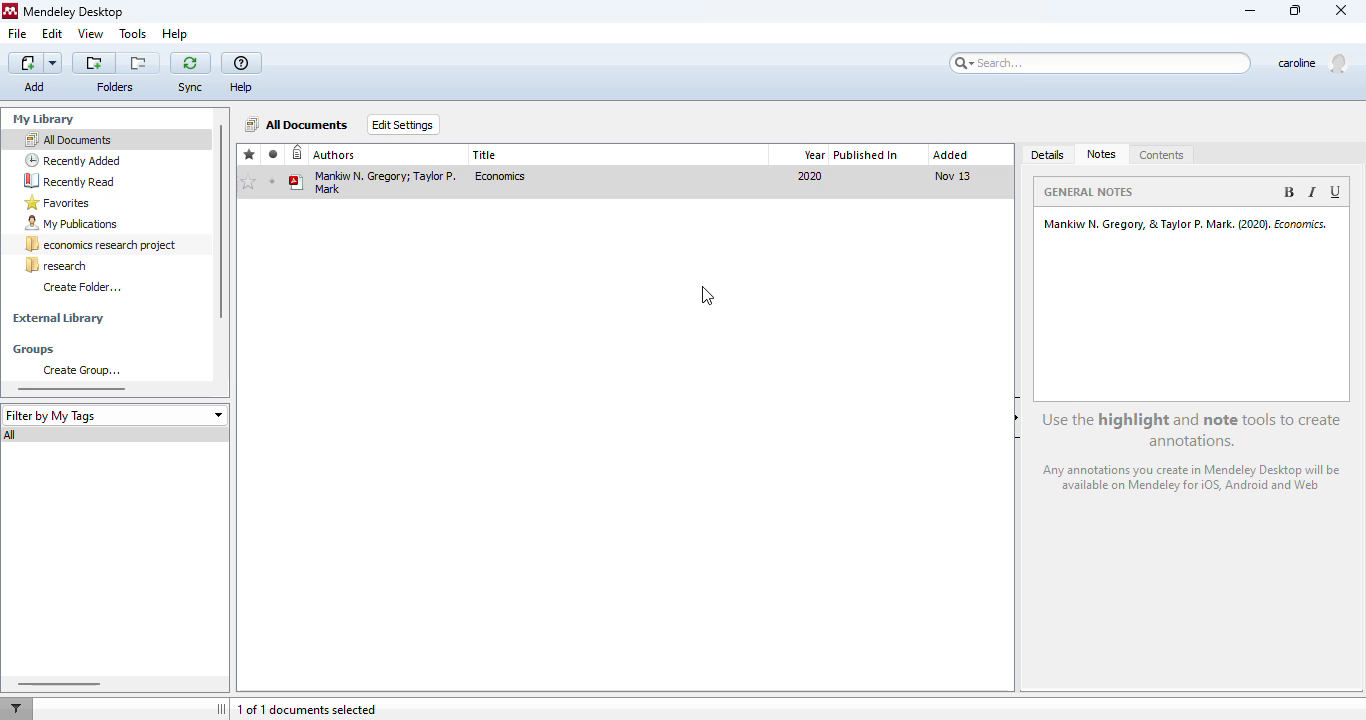 This screenshot has height=720, width=1366. Describe the element at coordinates (133, 35) in the screenshot. I see `tools` at that location.